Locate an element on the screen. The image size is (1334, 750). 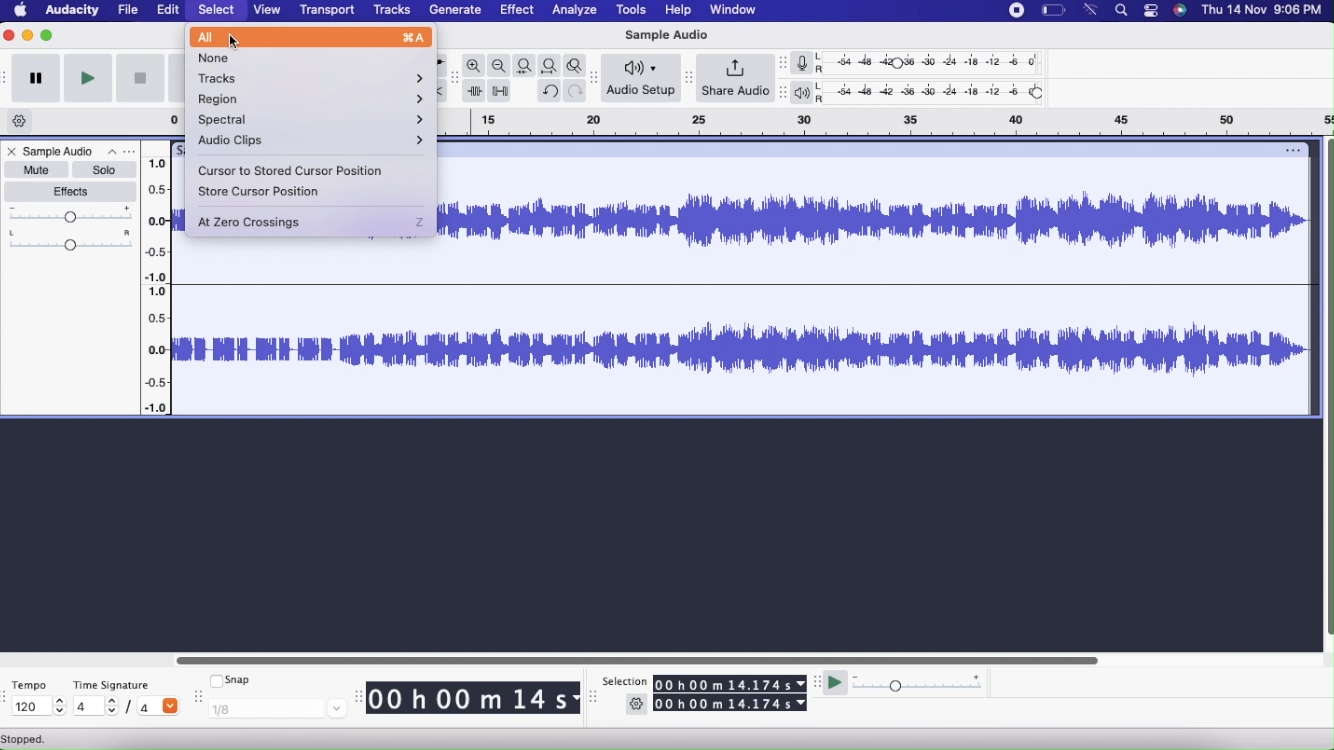
/4 is located at coordinates (157, 706).